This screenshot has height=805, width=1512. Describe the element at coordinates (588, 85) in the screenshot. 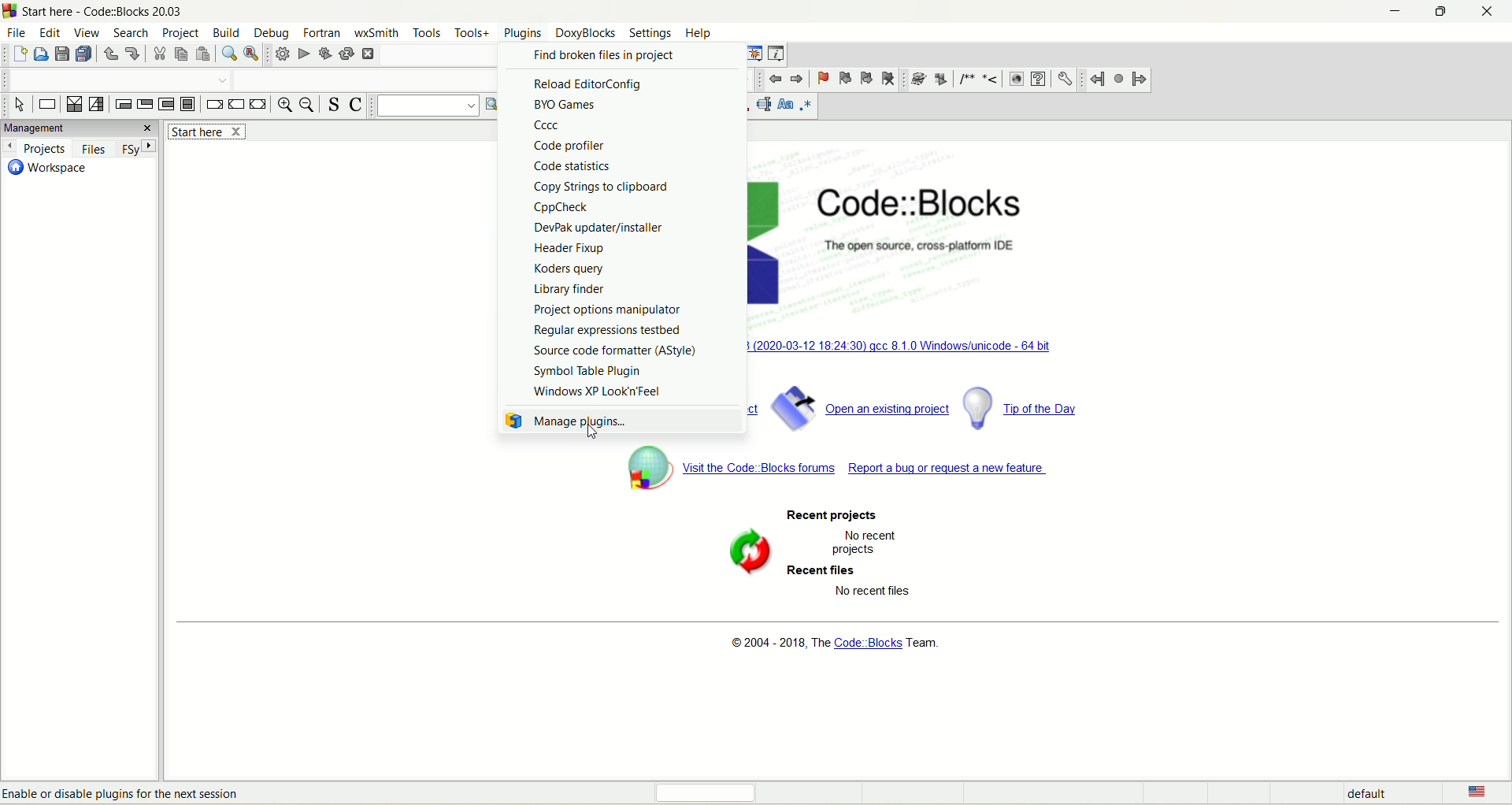

I see `reload editor config` at that location.